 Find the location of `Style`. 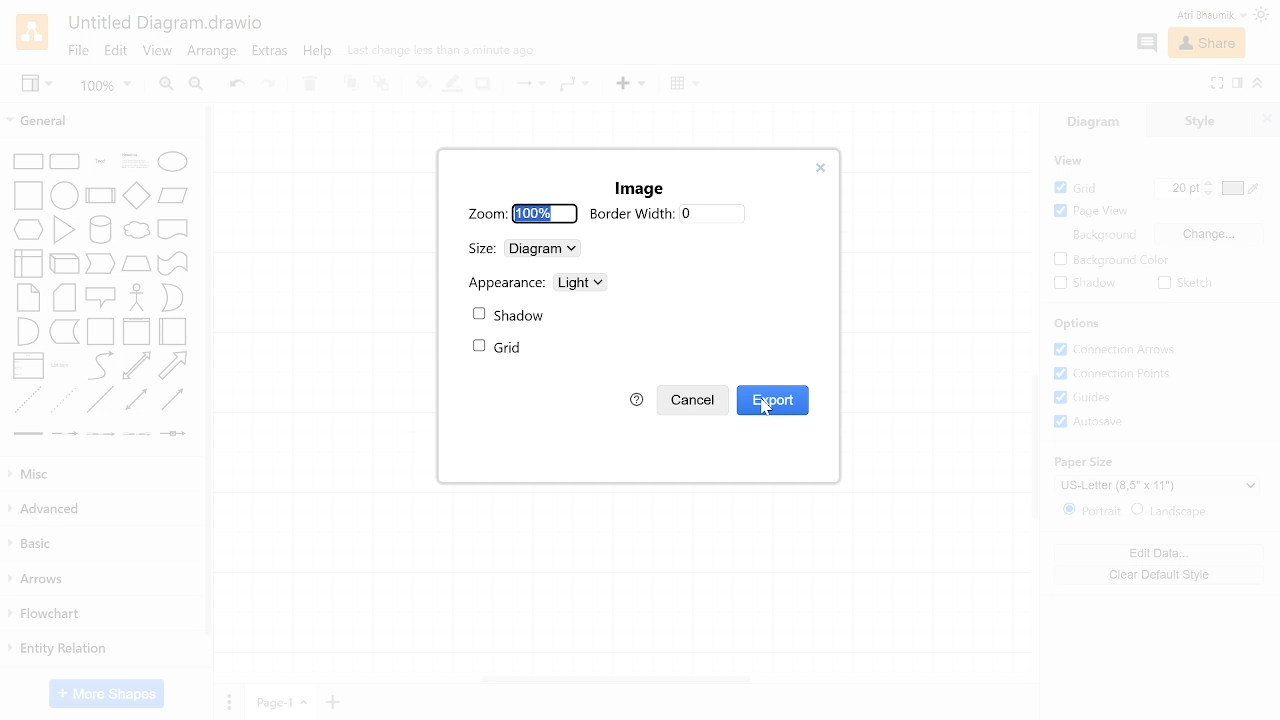

Style is located at coordinates (1192, 120).